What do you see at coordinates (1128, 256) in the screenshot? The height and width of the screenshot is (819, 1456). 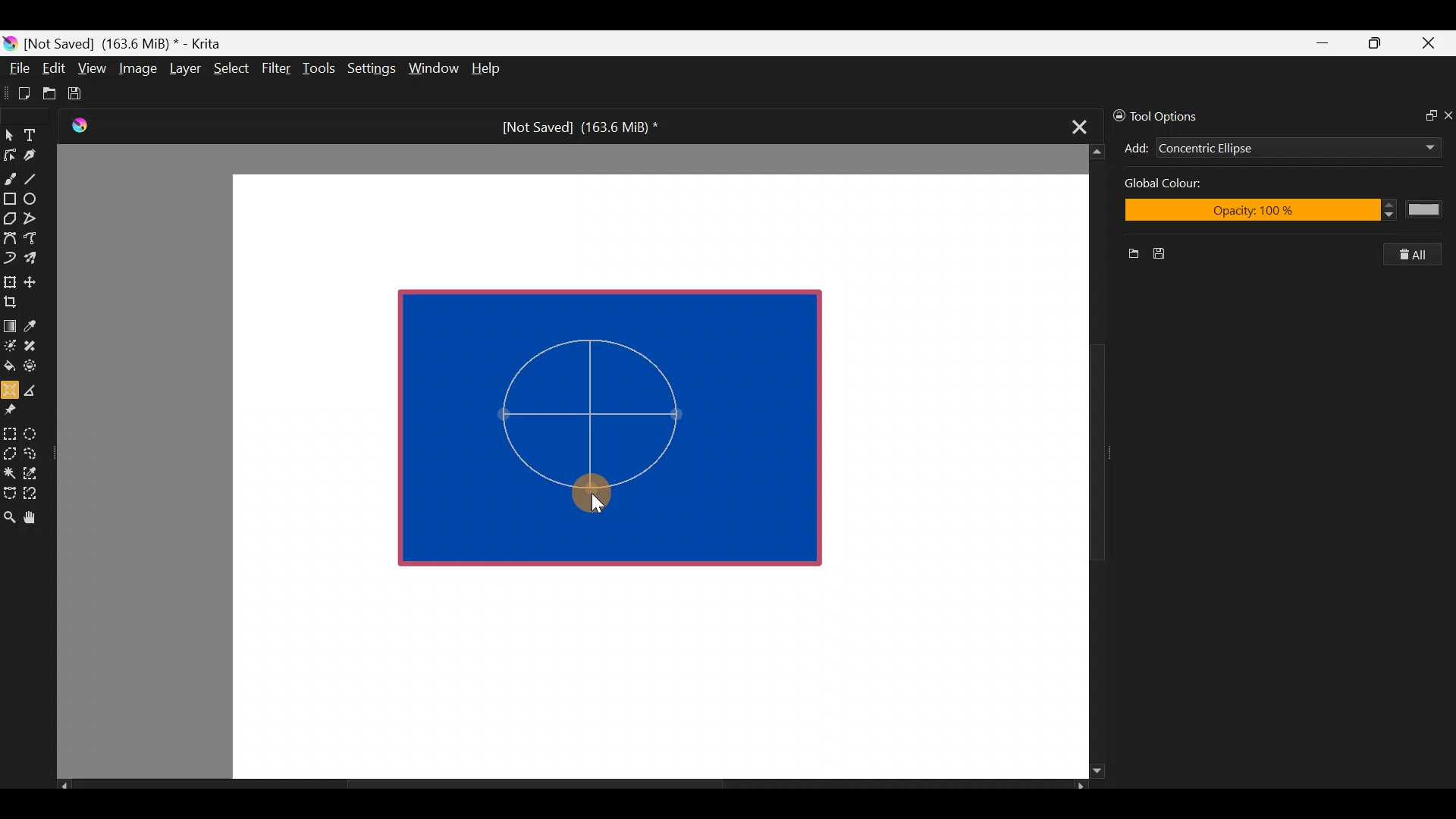 I see `New` at bounding box center [1128, 256].